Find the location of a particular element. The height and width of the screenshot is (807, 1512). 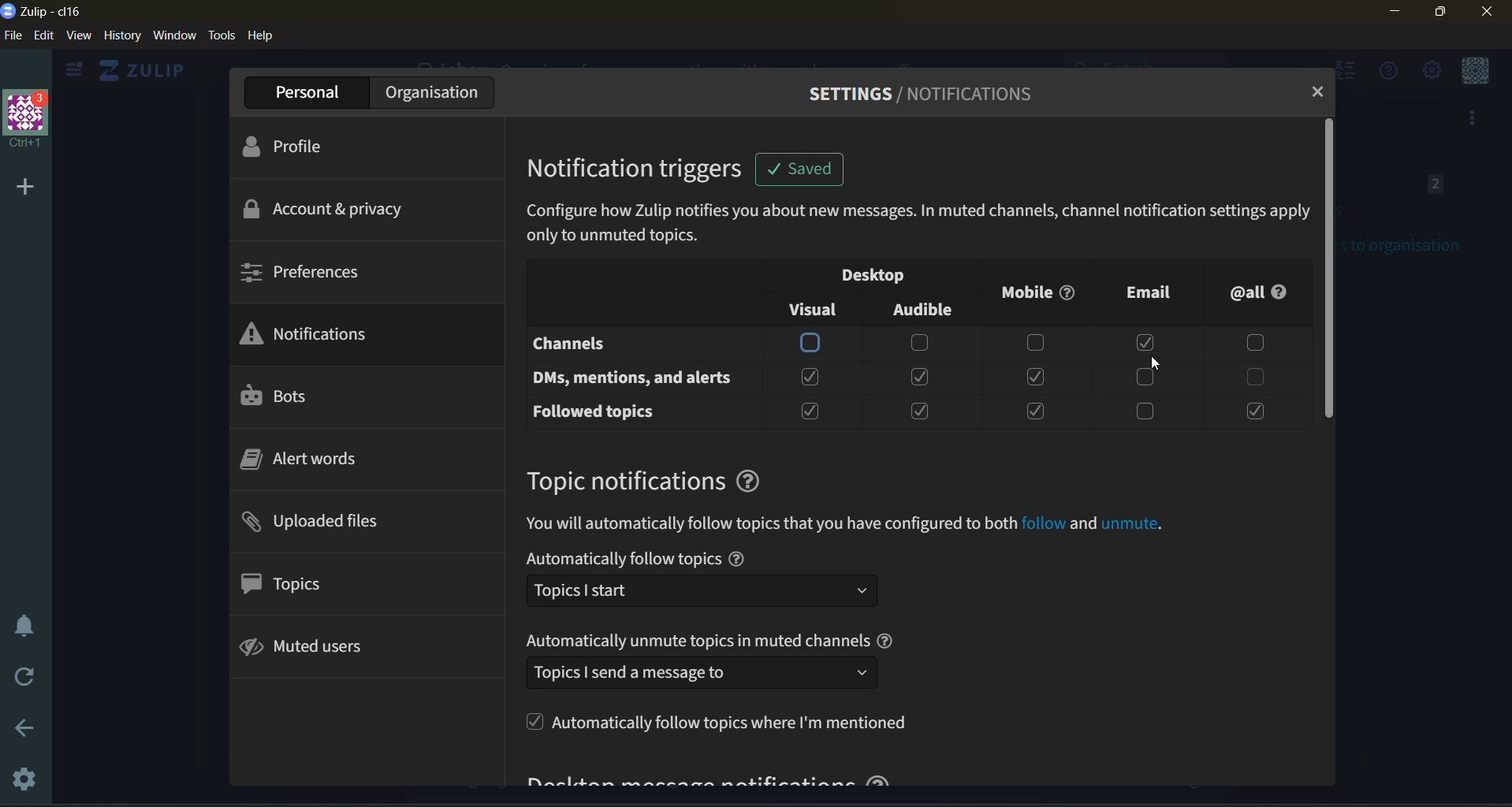

dm's , mentions and alerts is located at coordinates (637, 379).